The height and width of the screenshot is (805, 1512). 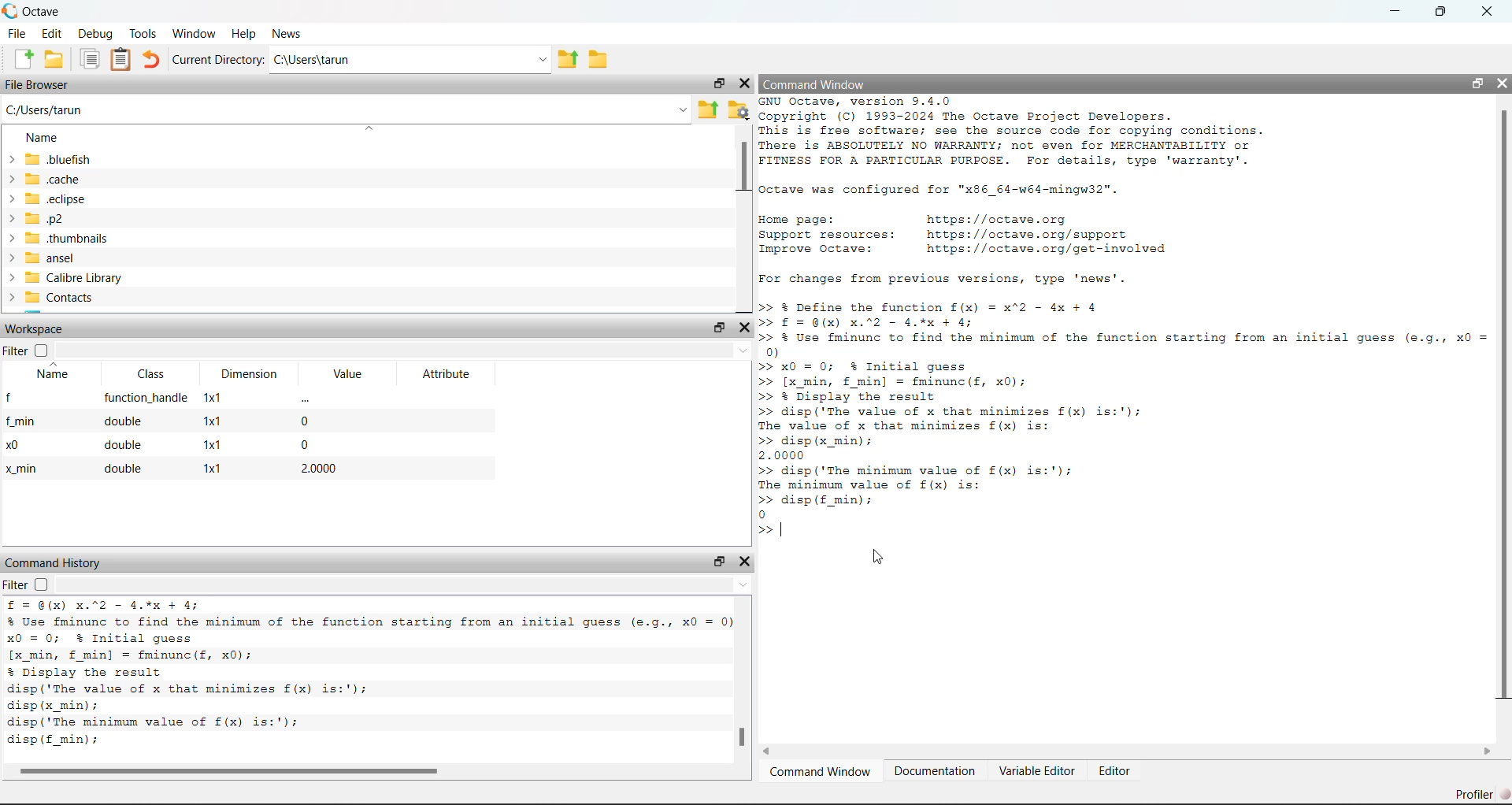 I want to click on Scrollbar, so click(x=1501, y=408).